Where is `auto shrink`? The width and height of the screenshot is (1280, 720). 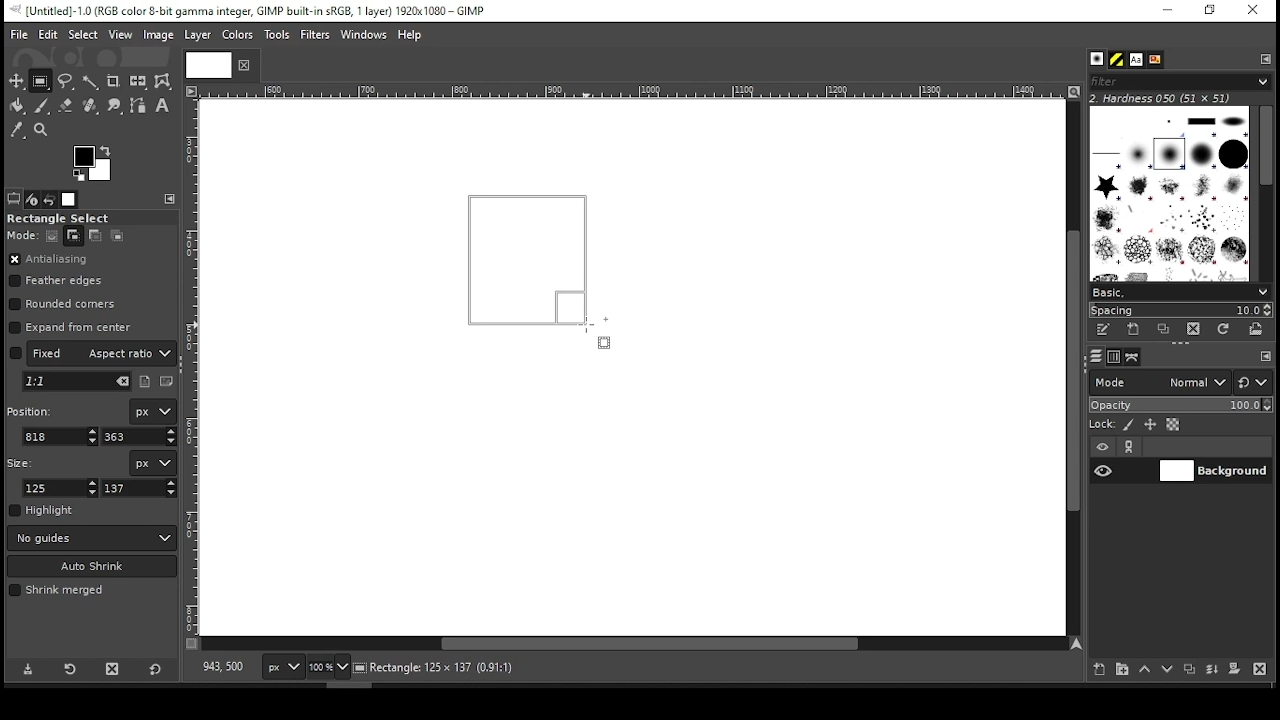
auto shrink is located at coordinates (93, 566).